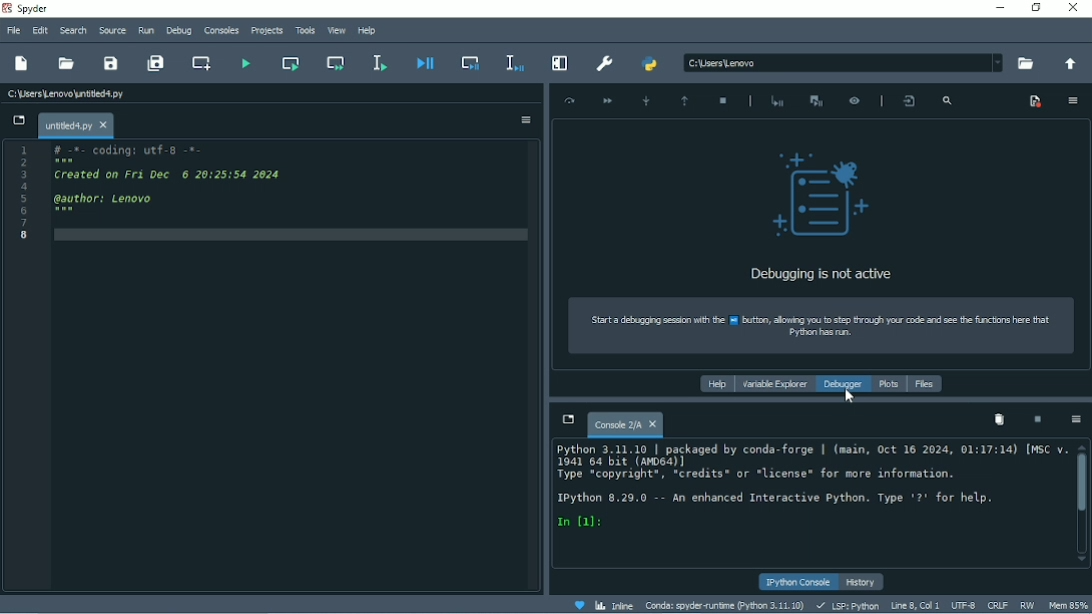 The height and width of the screenshot is (614, 1092). What do you see at coordinates (156, 64) in the screenshot?
I see `Save all files` at bounding box center [156, 64].